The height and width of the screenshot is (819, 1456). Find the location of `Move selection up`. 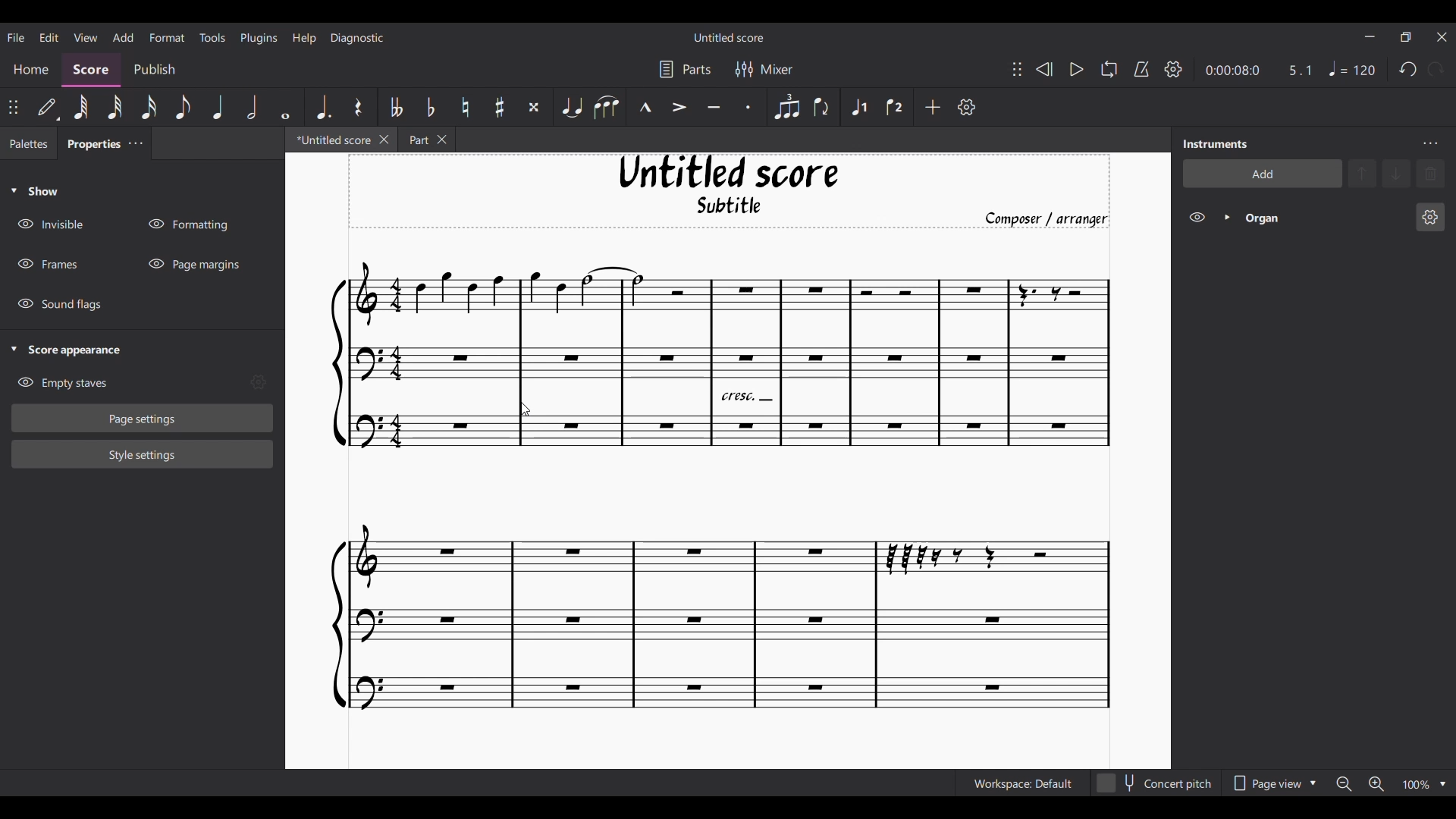

Move selection up is located at coordinates (1363, 173).